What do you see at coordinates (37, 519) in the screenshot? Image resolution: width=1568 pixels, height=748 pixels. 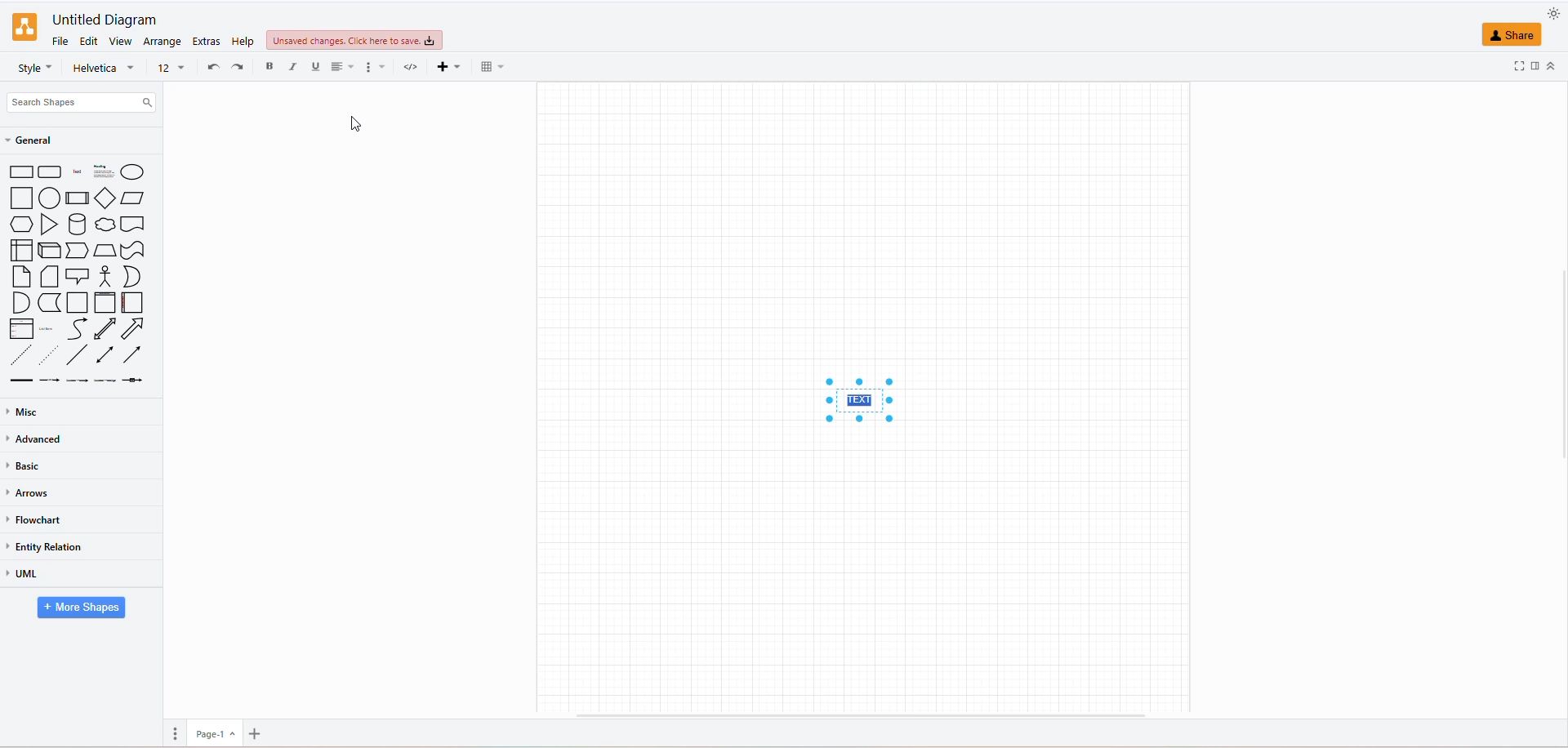 I see `flowchart` at bounding box center [37, 519].